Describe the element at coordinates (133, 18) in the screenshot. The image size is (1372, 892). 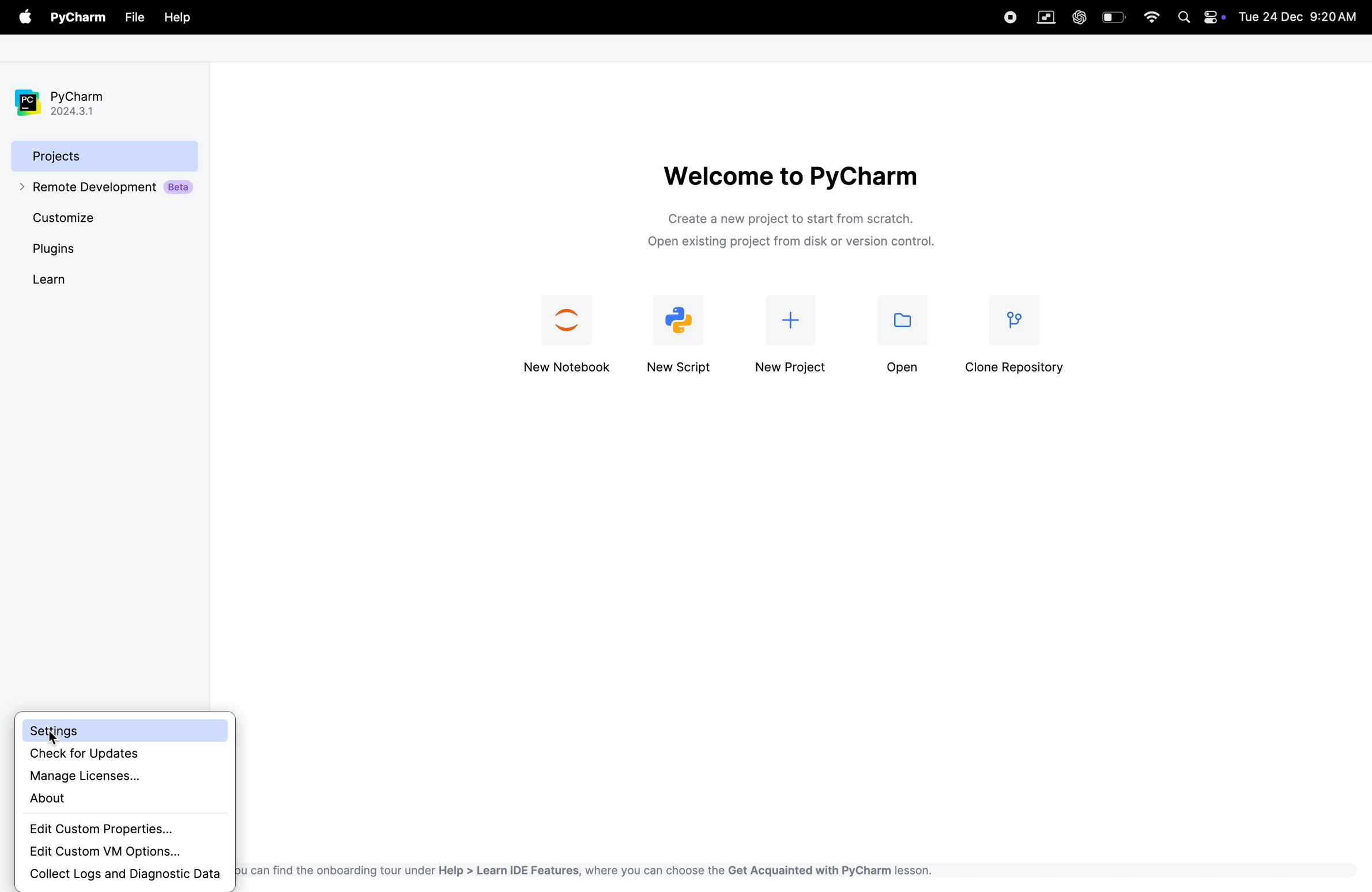
I see `File` at that location.